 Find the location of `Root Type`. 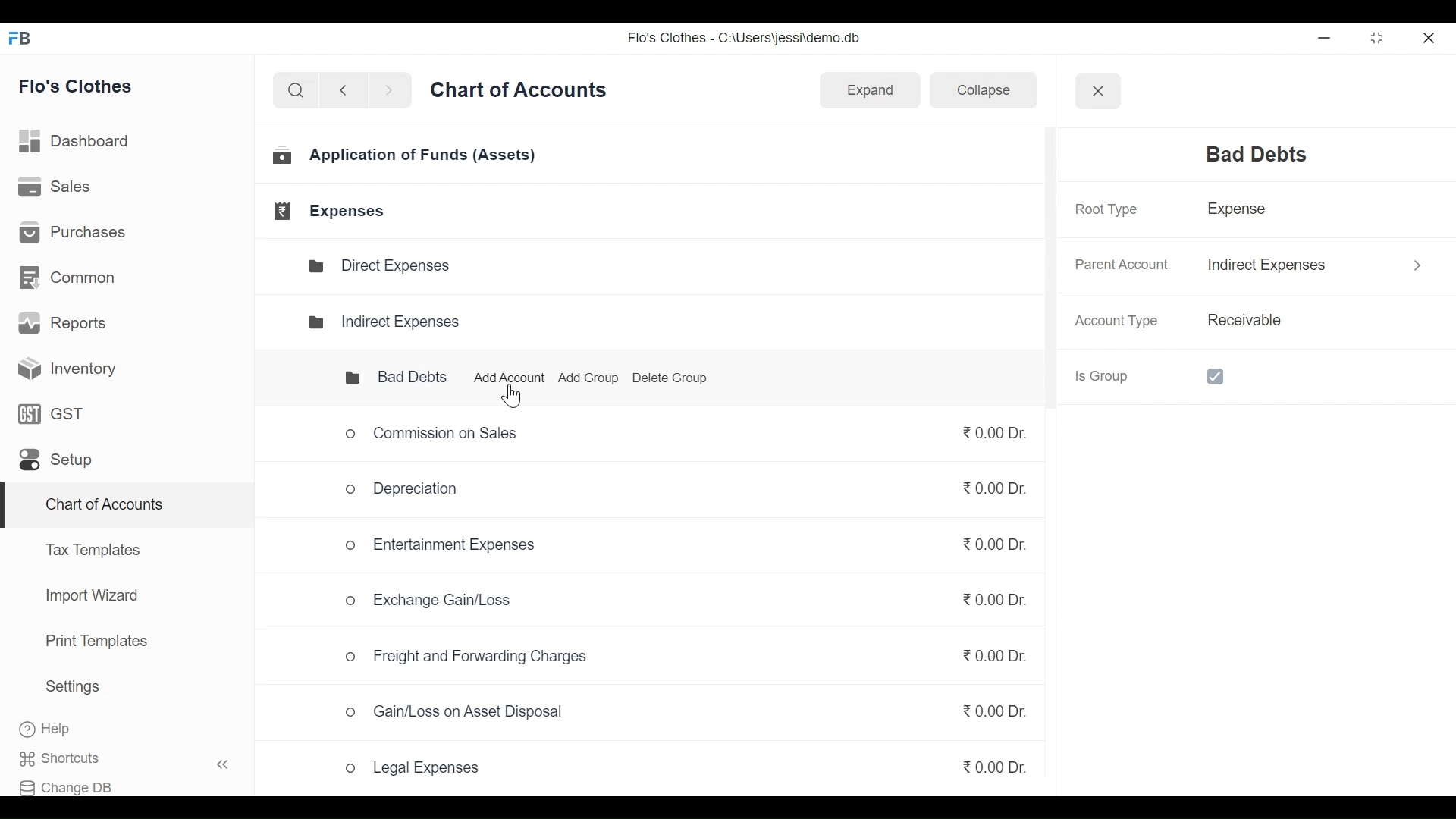

Root Type is located at coordinates (1104, 209).